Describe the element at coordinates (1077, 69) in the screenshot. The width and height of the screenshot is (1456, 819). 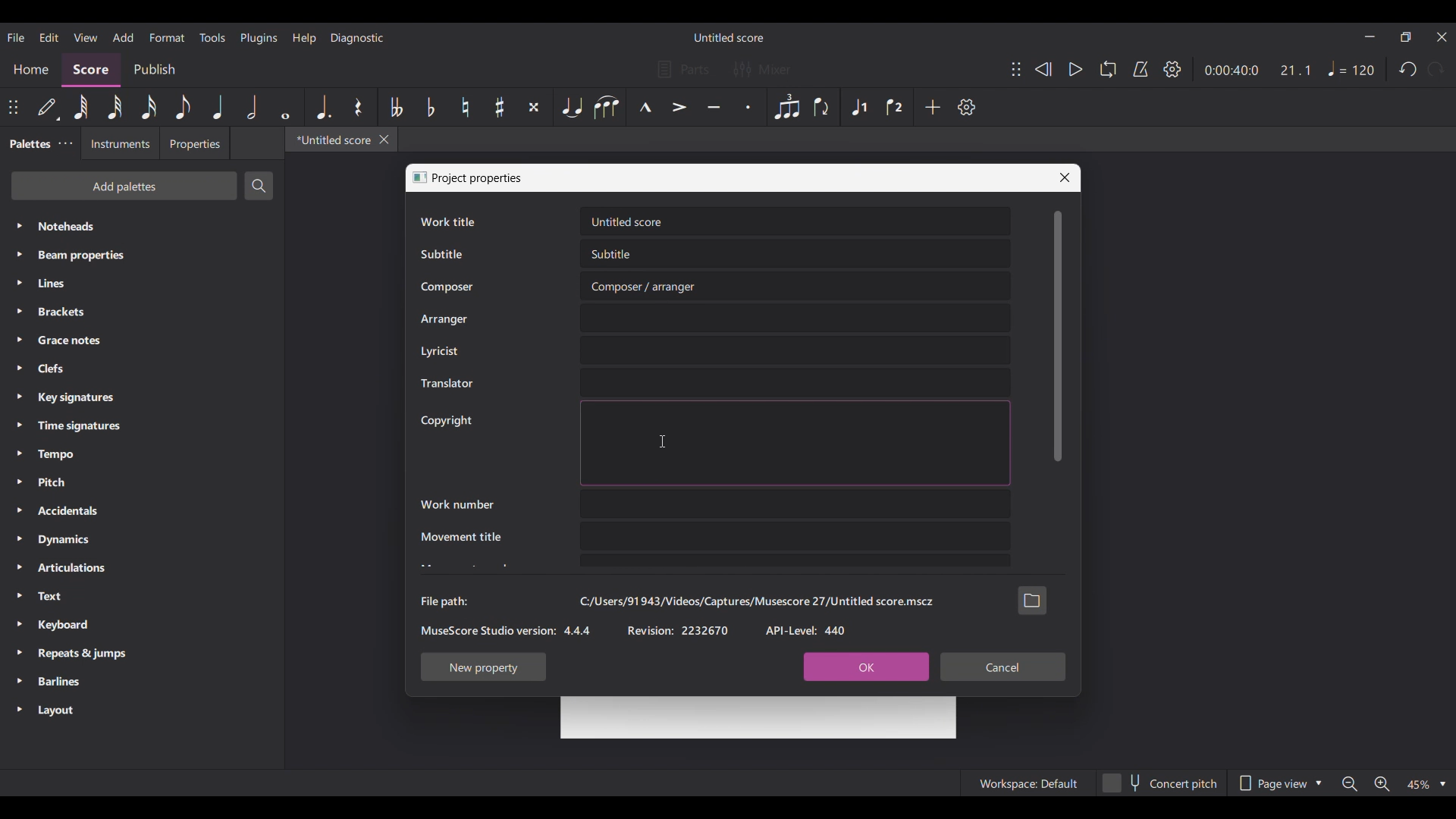
I see `Play` at that location.